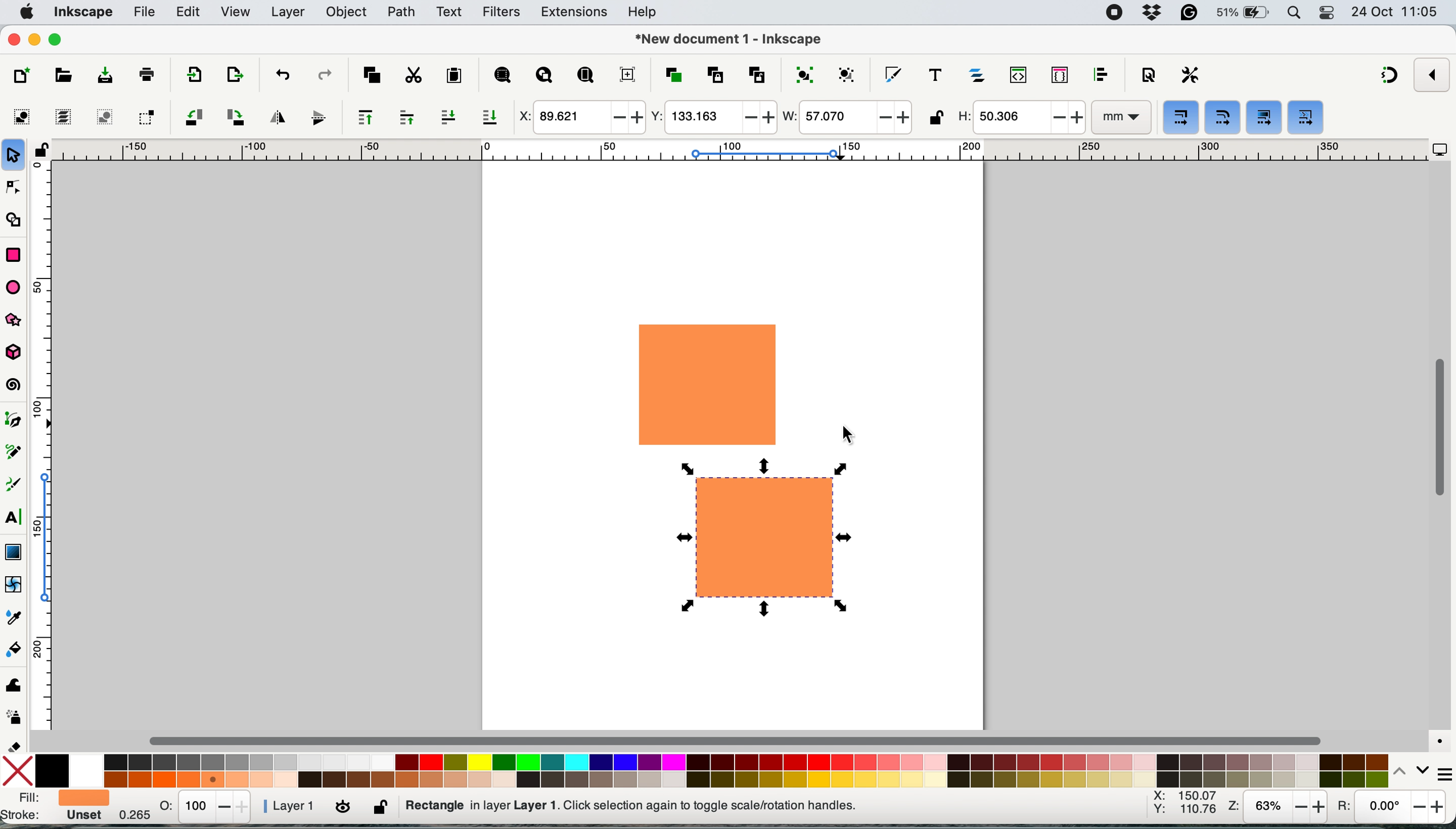 The image size is (1456, 829). I want to click on spiral tool, so click(15, 386).